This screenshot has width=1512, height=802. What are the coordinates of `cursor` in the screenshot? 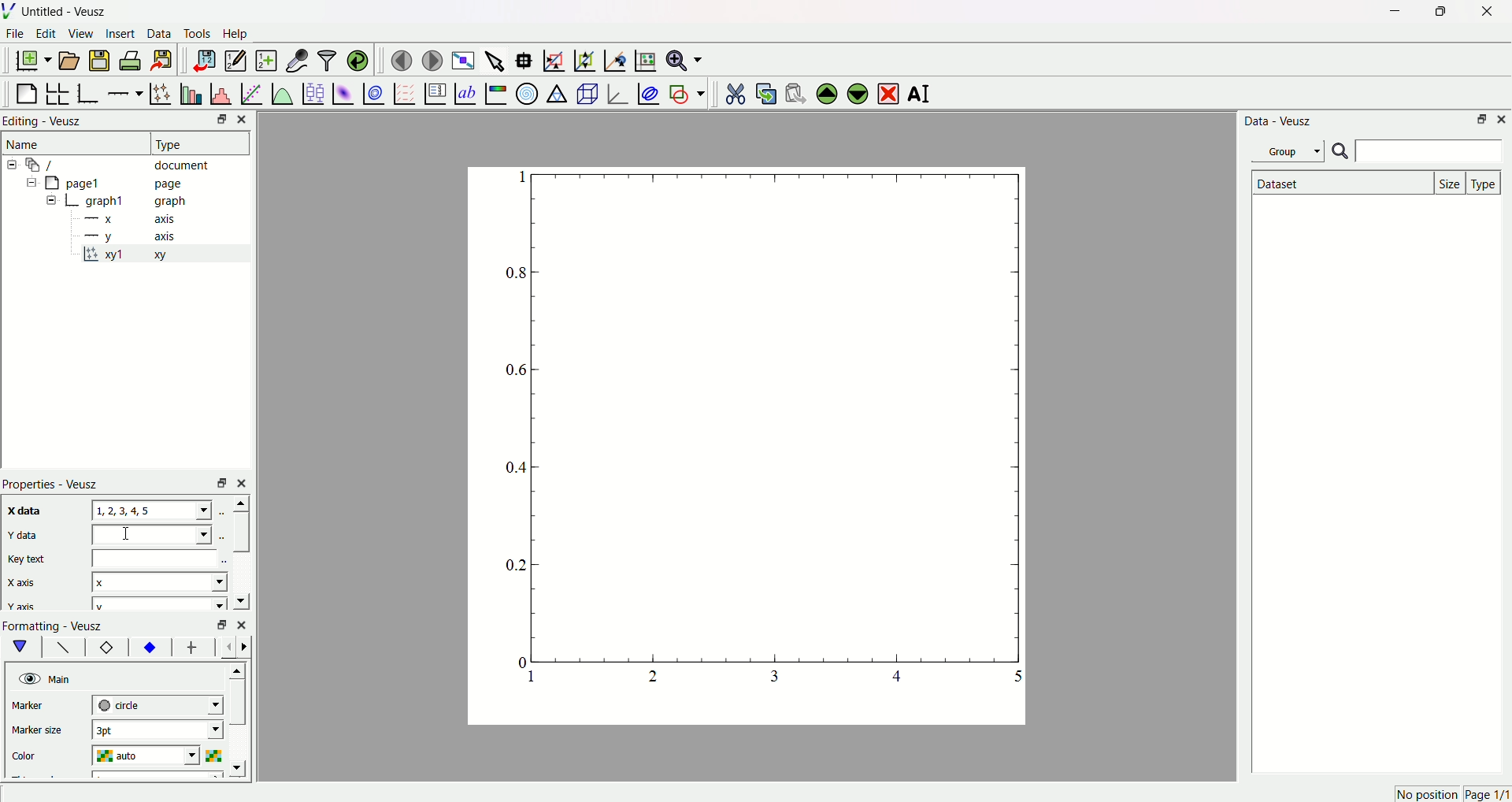 It's located at (130, 536).